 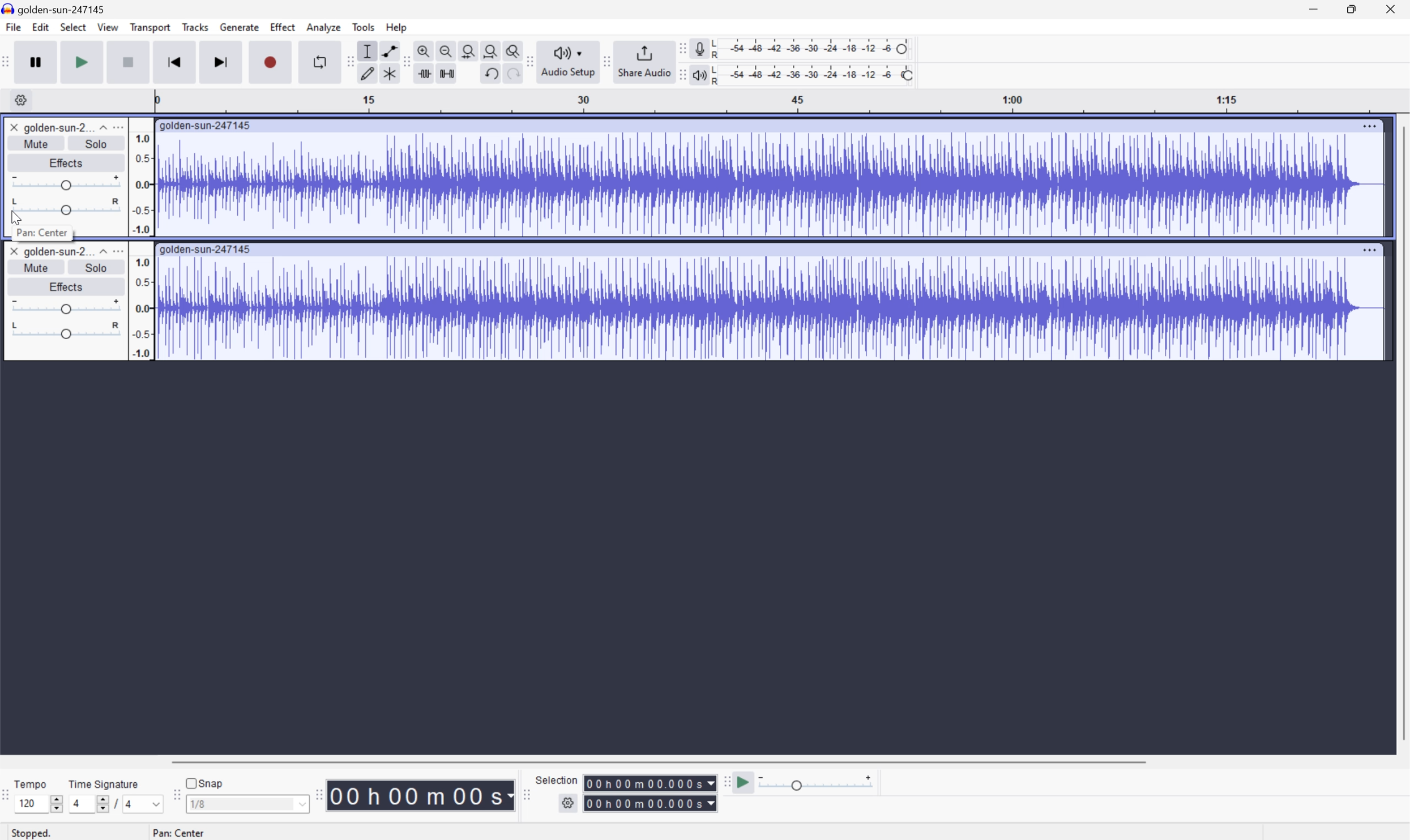 What do you see at coordinates (67, 307) in the screenshot?
I see `Slider` at bounding box center [67, 307].